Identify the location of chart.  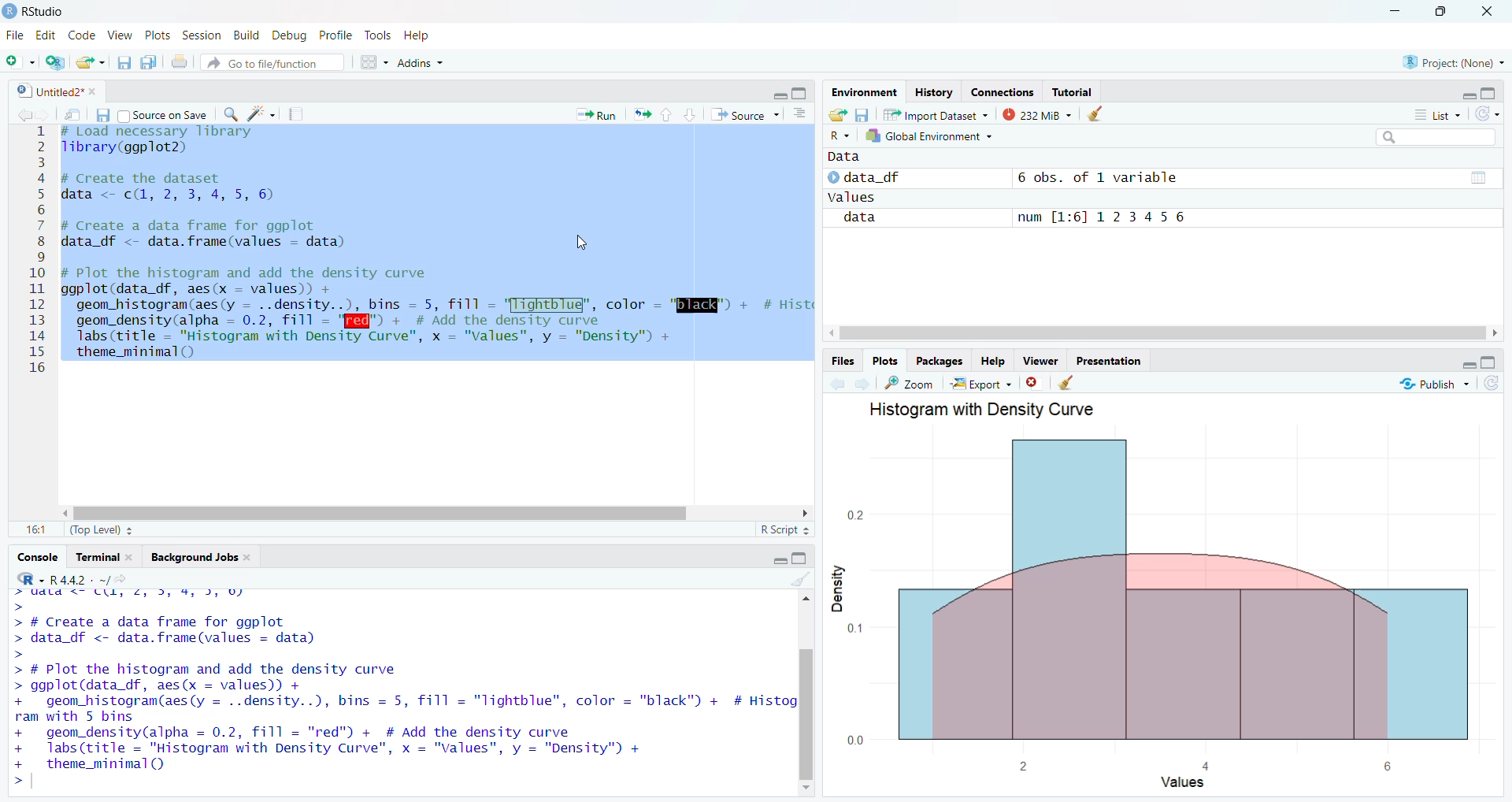
(1161, 599).